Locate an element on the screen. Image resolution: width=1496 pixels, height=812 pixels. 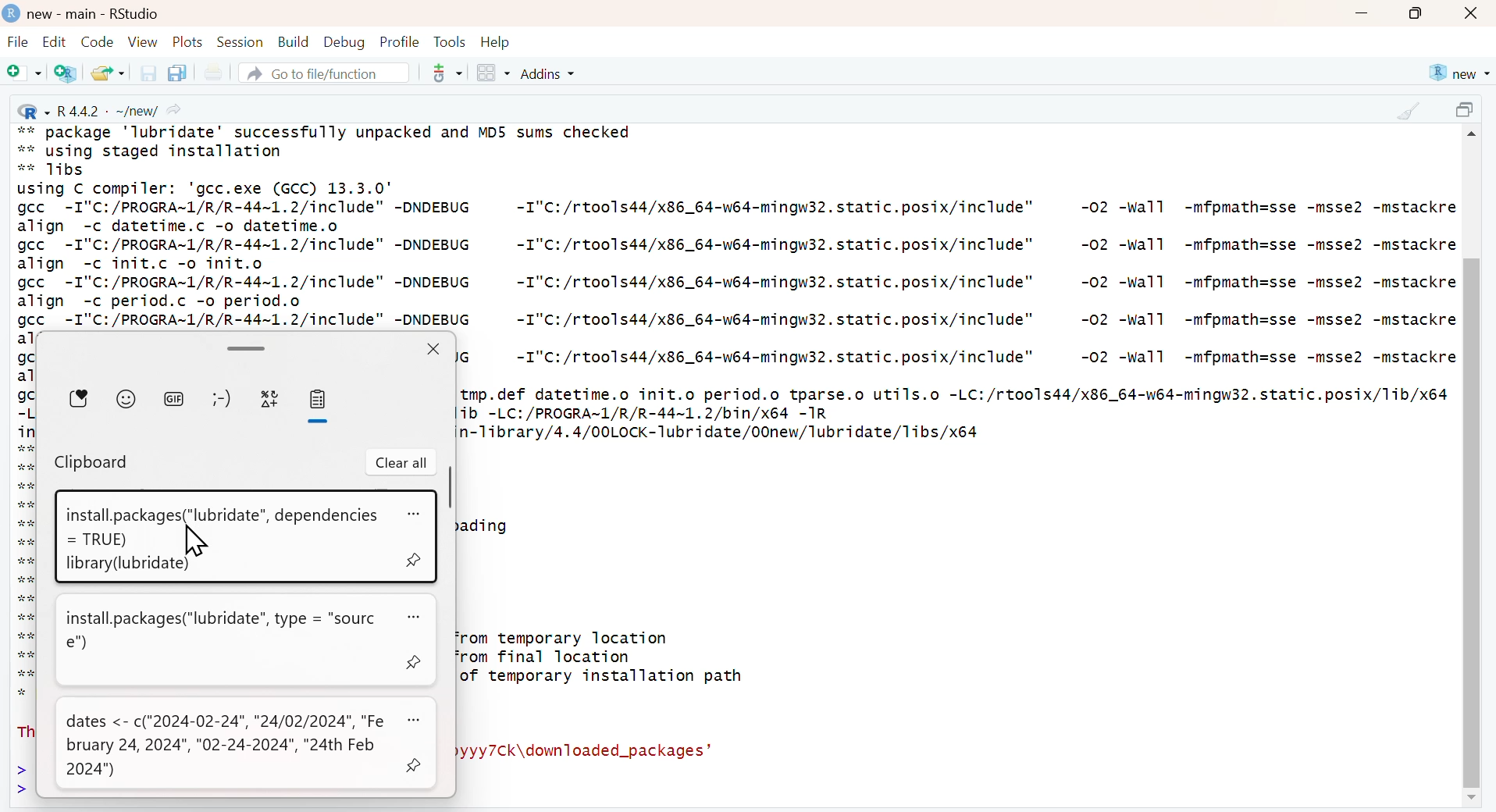
R 4.4.2 . ~/new/ is located at coordinates (102, 109).